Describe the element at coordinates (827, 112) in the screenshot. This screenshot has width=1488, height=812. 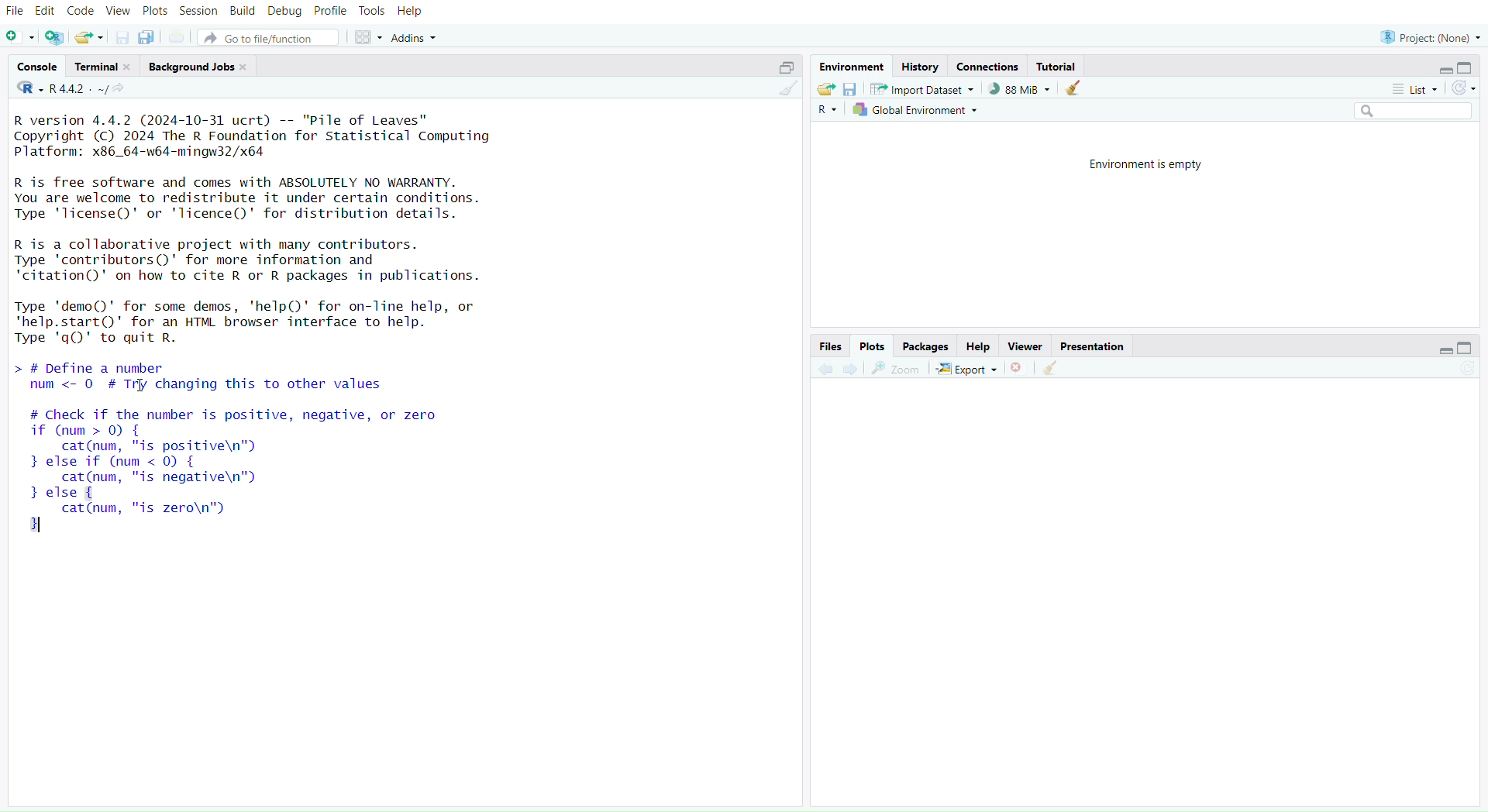
I see `R` at that location.